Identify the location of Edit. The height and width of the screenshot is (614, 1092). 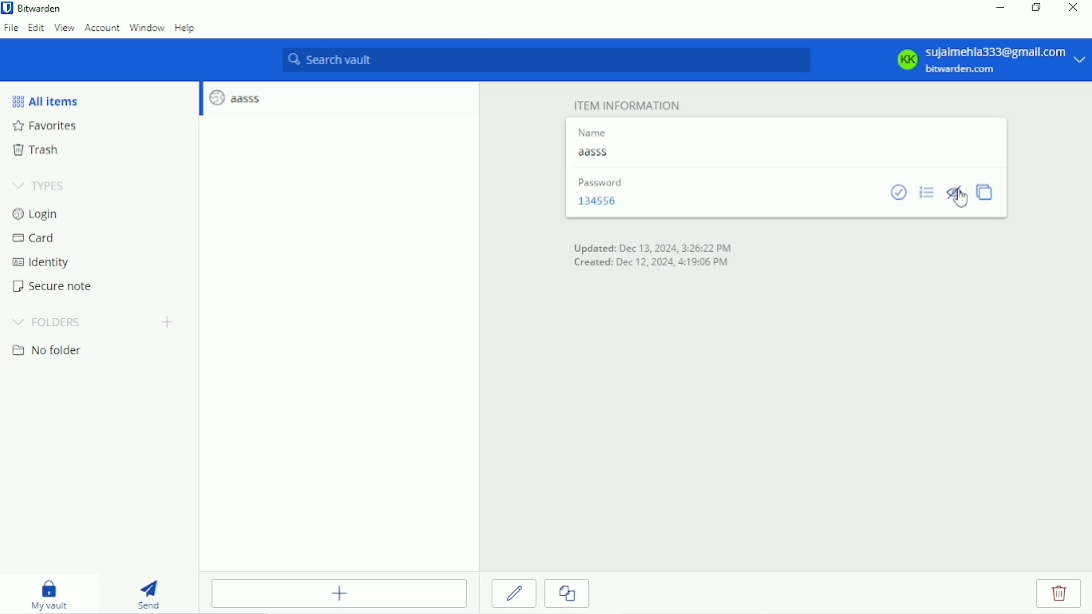
(514, 592).